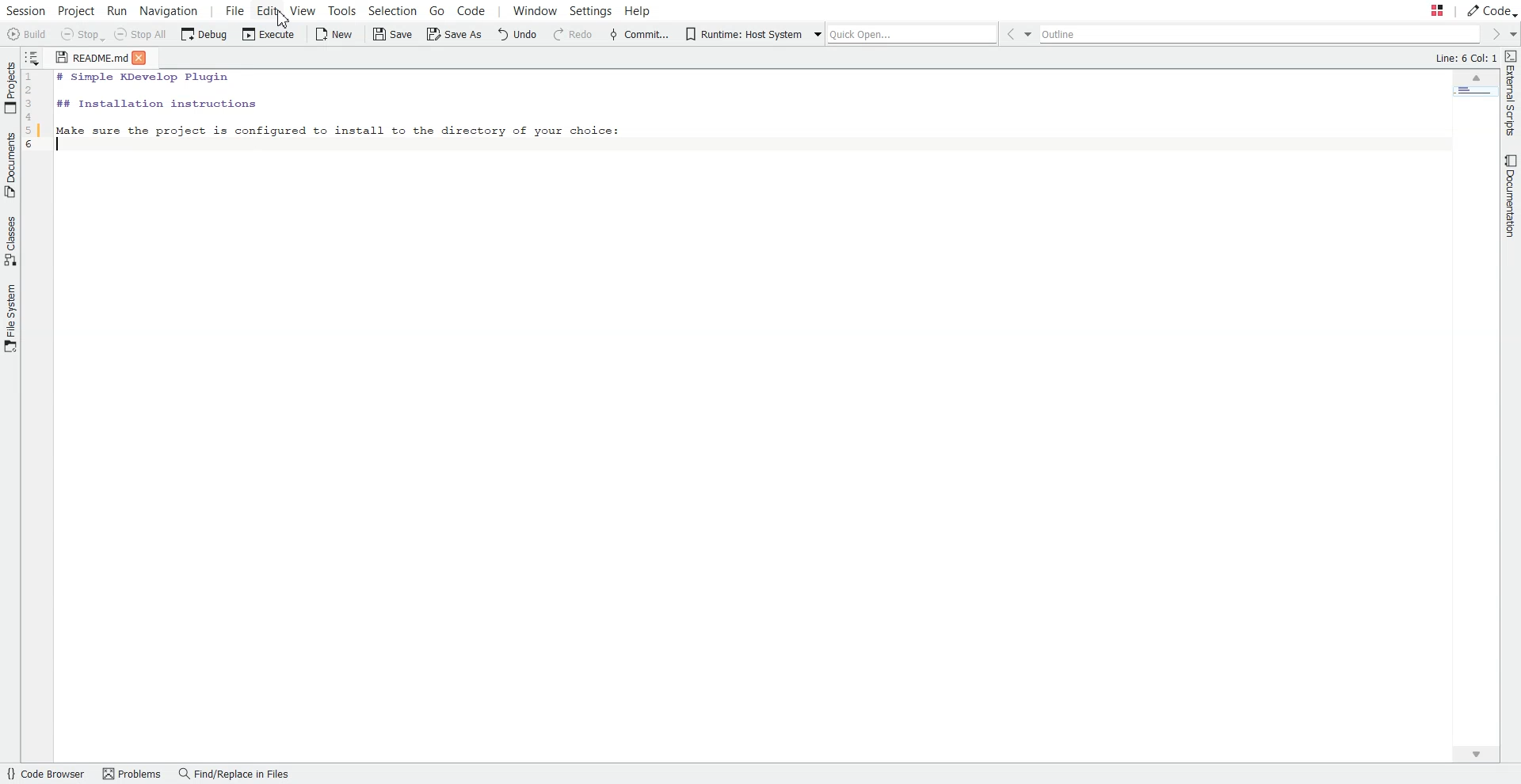 Image resolution: width=1521 pixels, height=784 pixels. Describe the element at coordinates (1473, 94) in the screenshot. I see `Page Overview` at that location.